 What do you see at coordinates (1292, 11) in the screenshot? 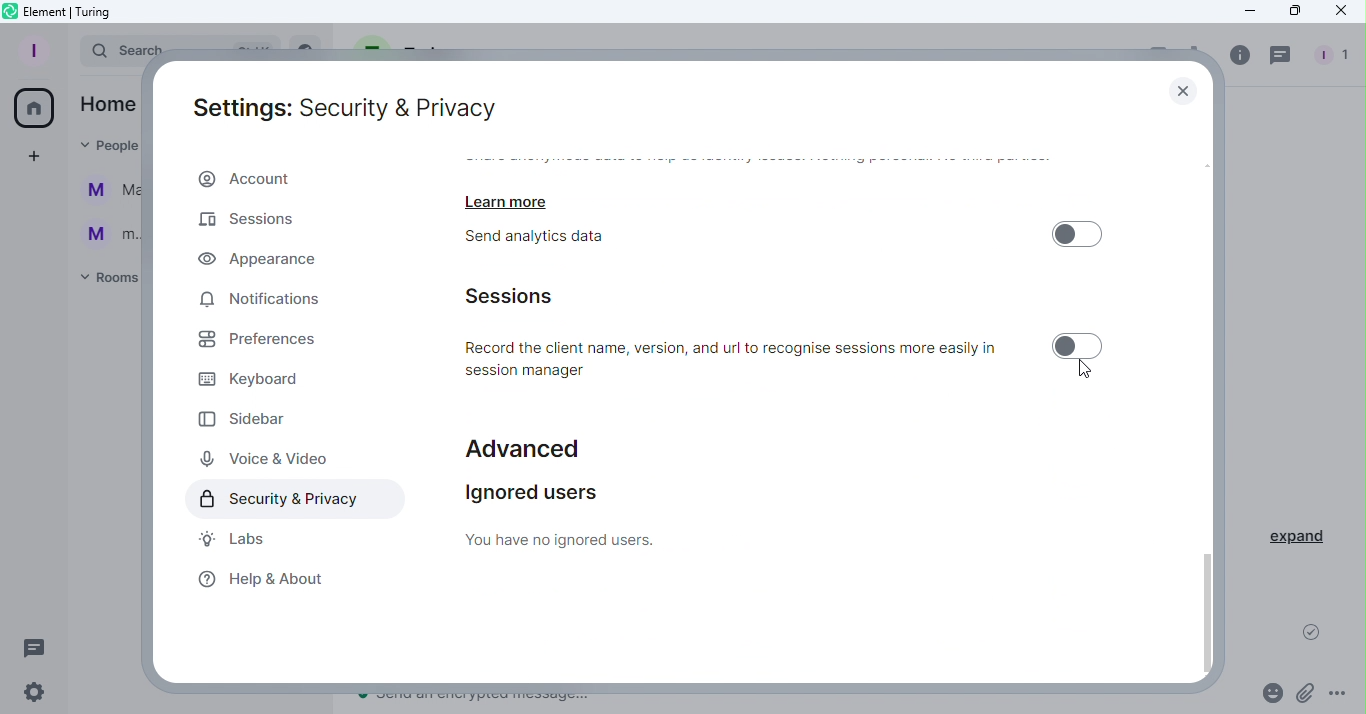
I see `Maximize` at bounding box center [1292, 11].